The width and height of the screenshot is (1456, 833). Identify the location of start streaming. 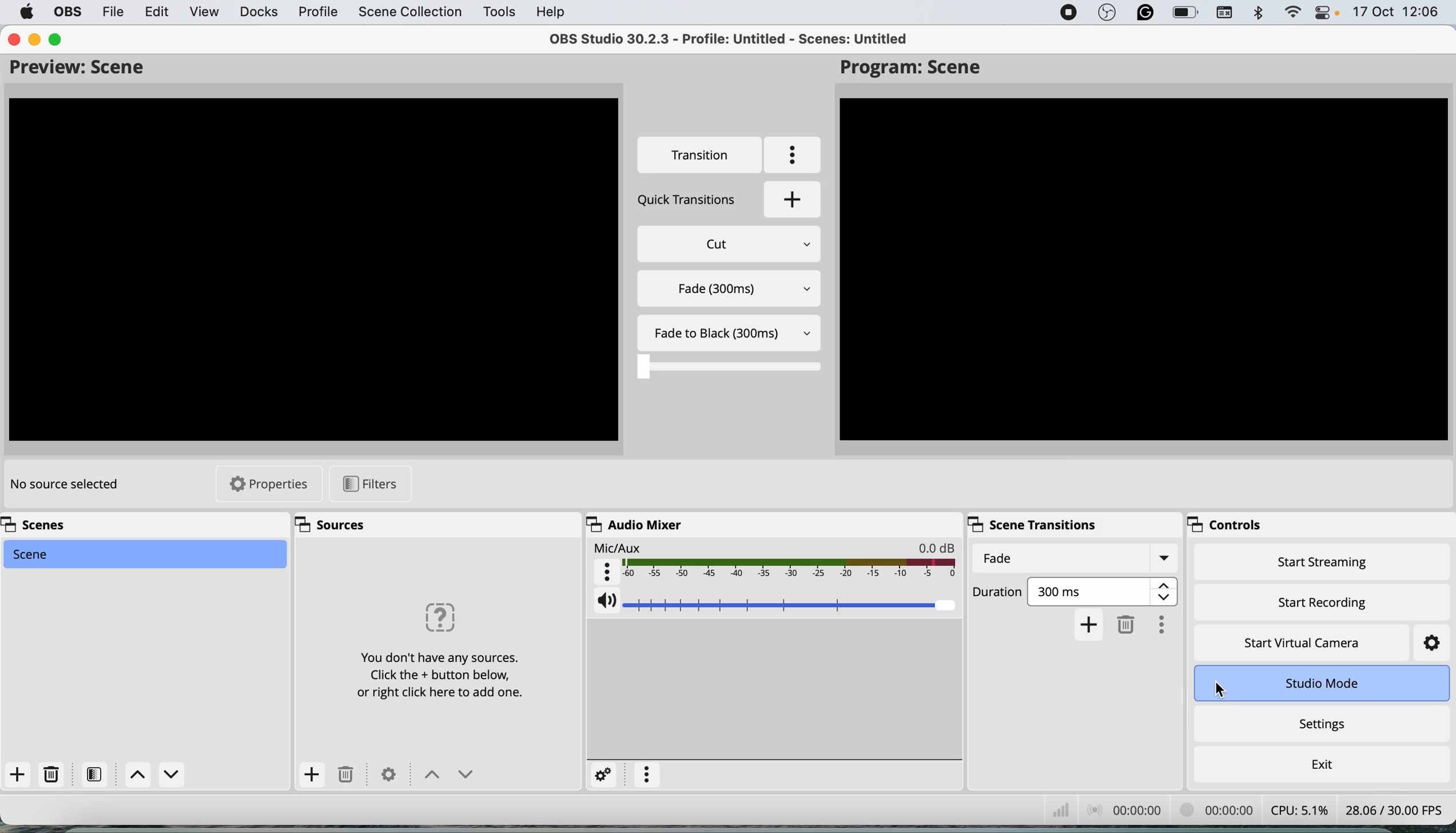
(1322, 561).